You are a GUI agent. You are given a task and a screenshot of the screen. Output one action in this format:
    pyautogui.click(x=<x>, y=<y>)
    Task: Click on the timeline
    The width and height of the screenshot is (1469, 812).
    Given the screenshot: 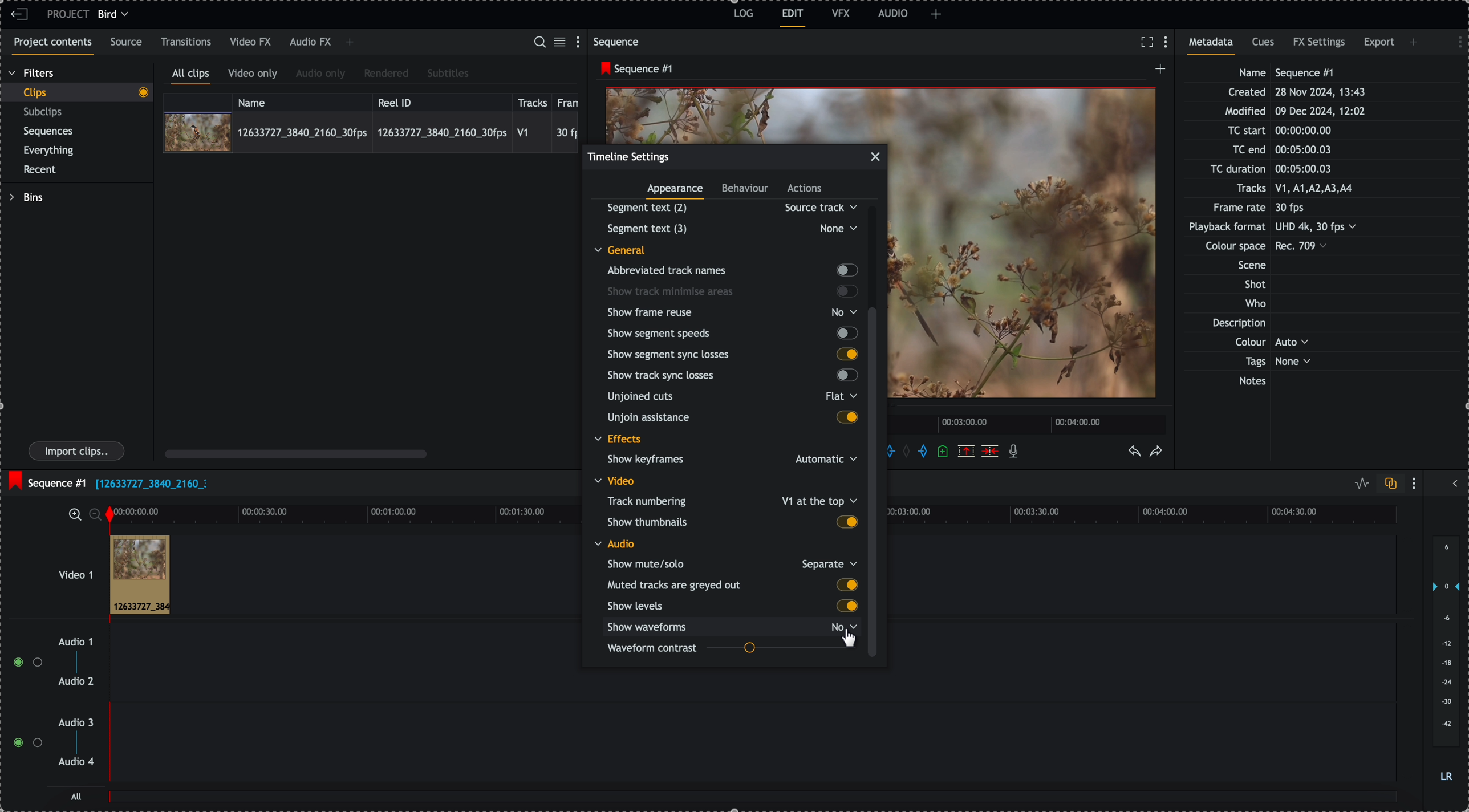 What is the action you would take?
    pyautogui.click(x=343, y=513)
    